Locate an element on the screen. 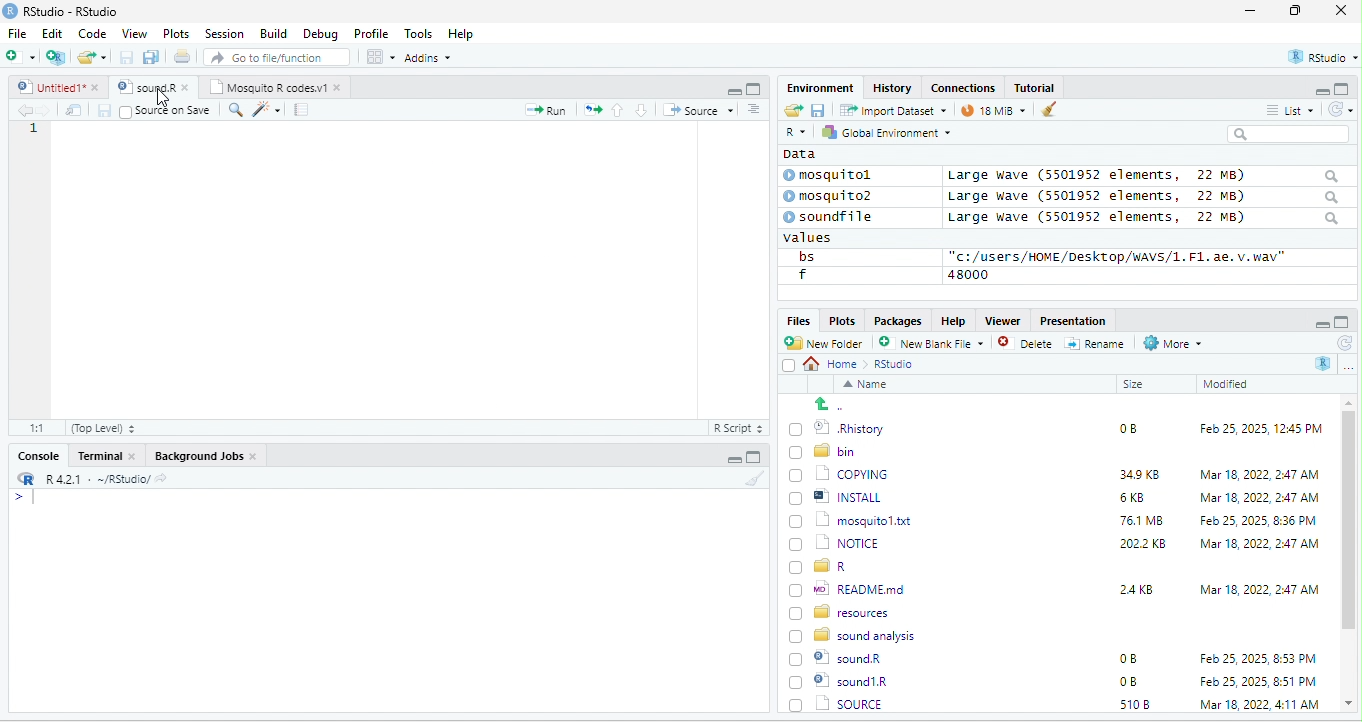 The width and height of the screenshot is (1362, 722). © Rhistory is located at coordinates (838, 426).